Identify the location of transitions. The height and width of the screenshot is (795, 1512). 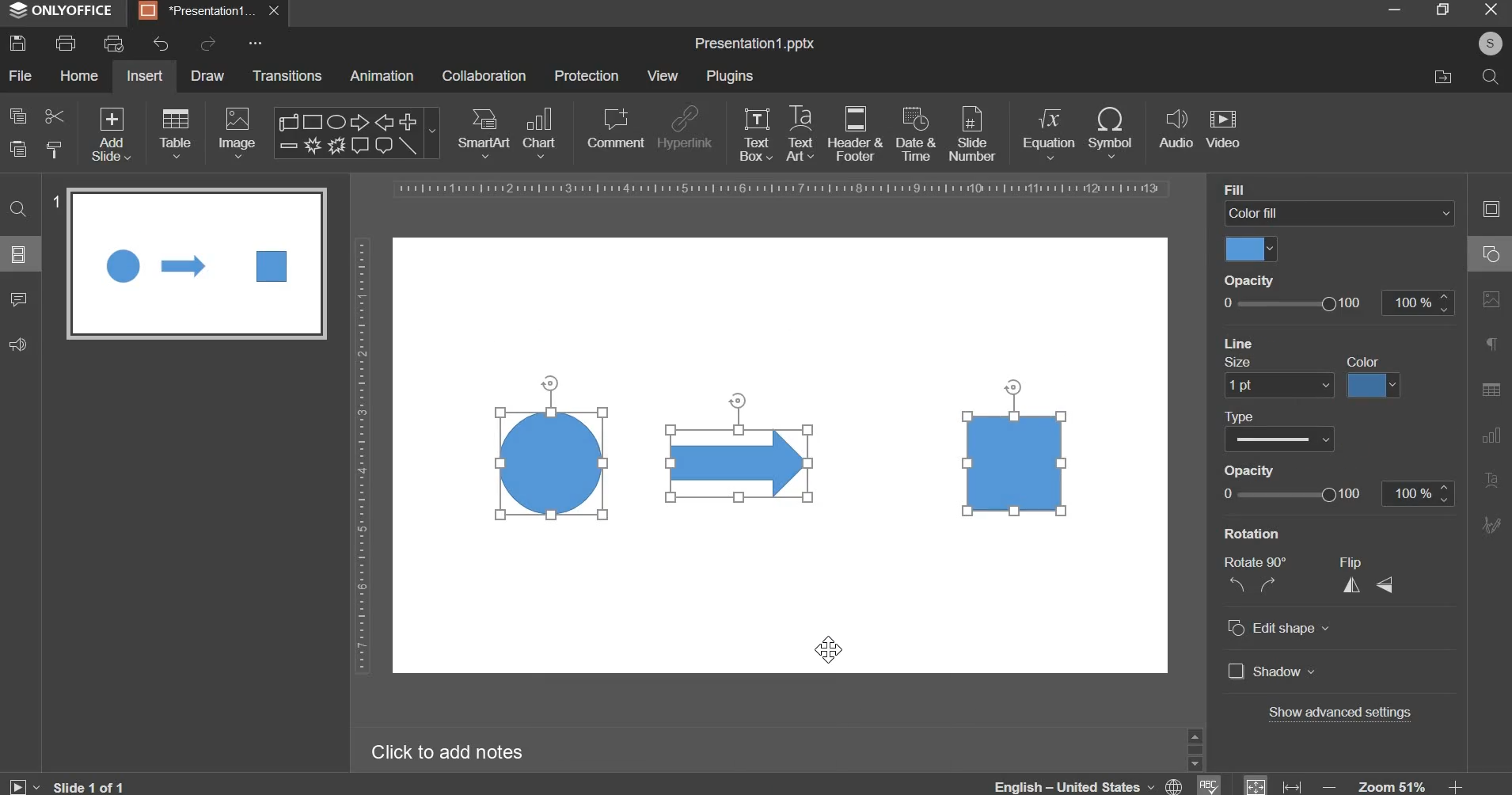
(288, 75).